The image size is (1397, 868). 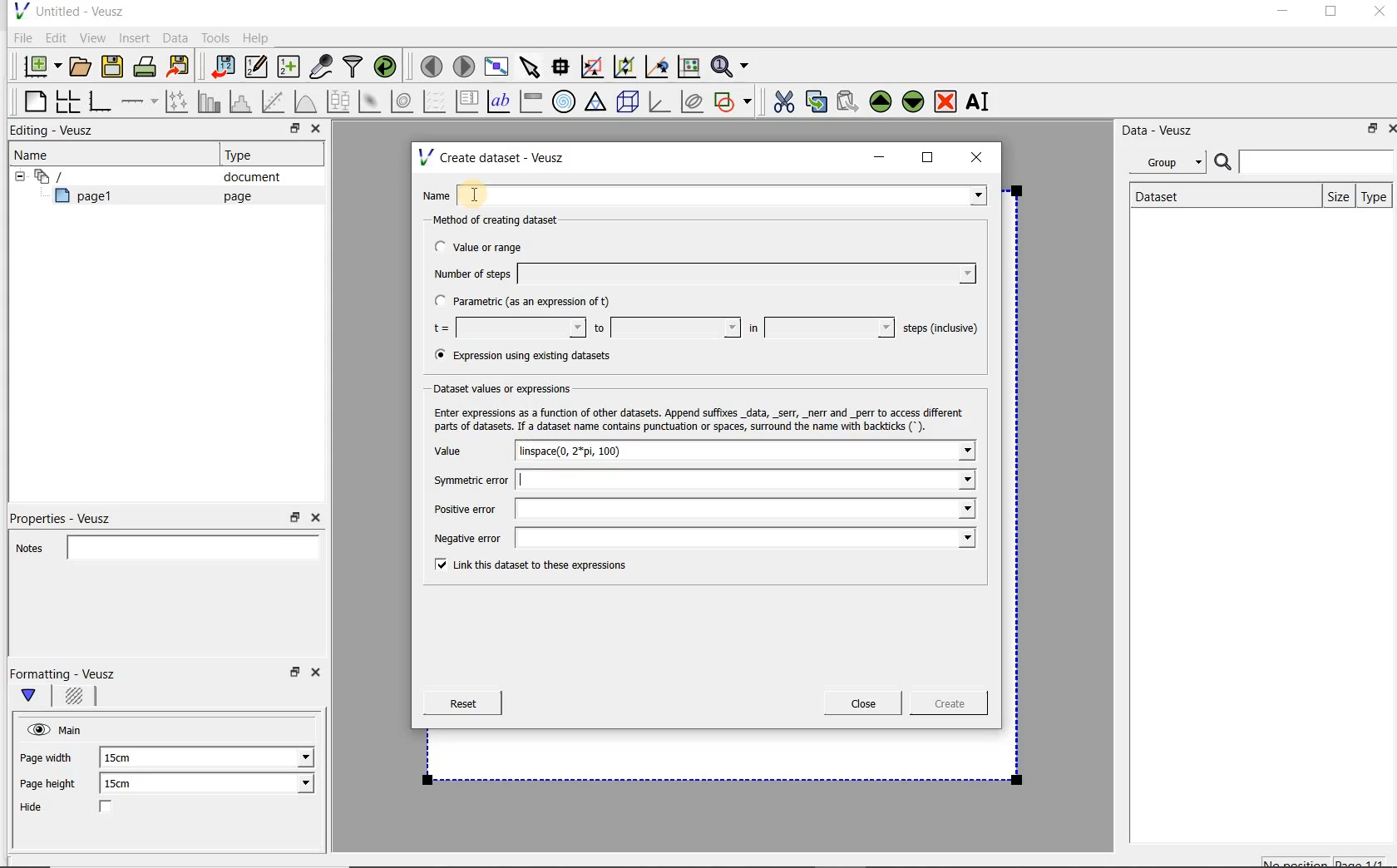 I want to click on Close, so click(x=1378, y=14).